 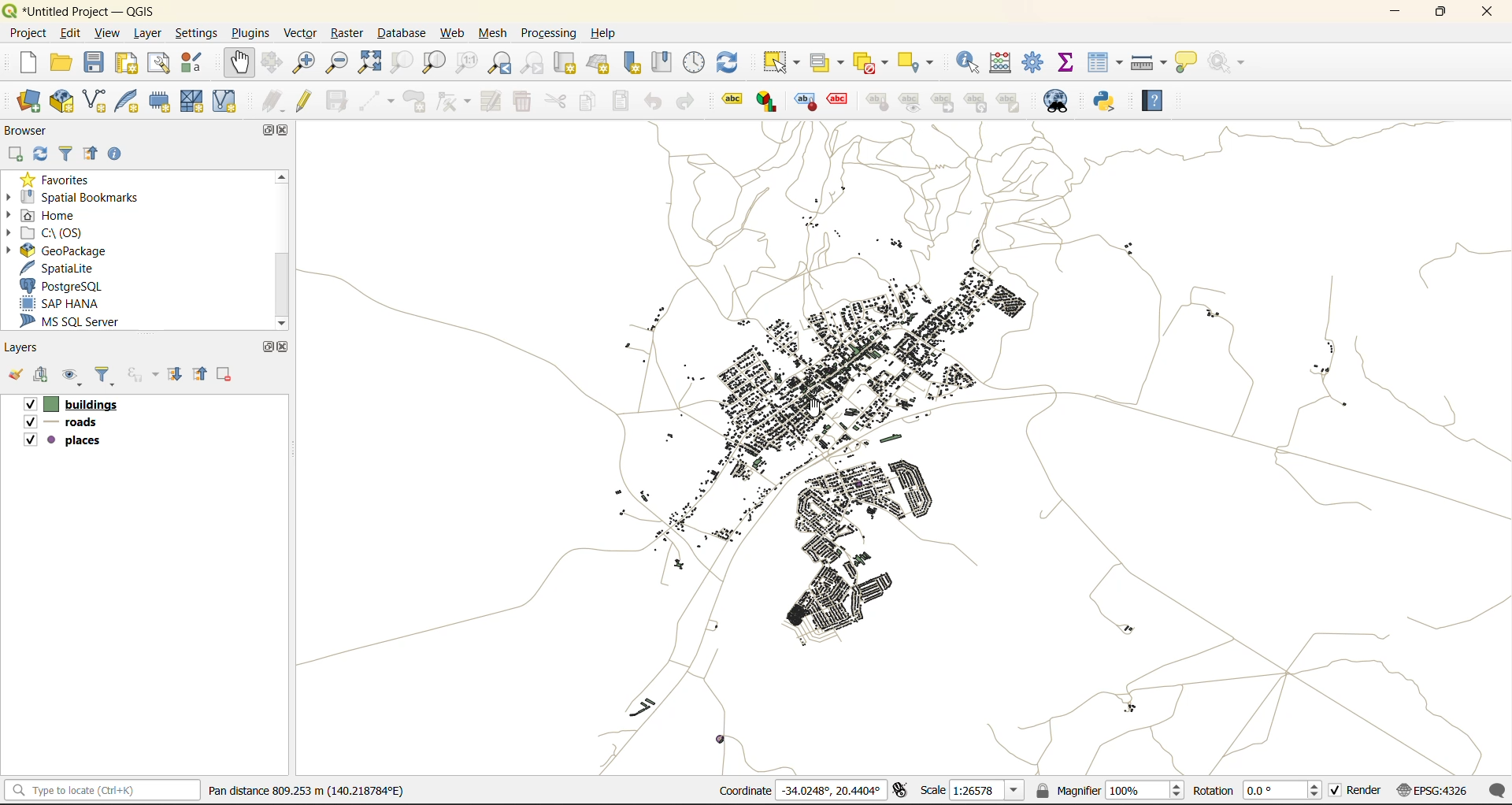 What do you see at coordinates (413, 102) in the screenshot?
I see `add polygon` at bounding box center [413, 102].